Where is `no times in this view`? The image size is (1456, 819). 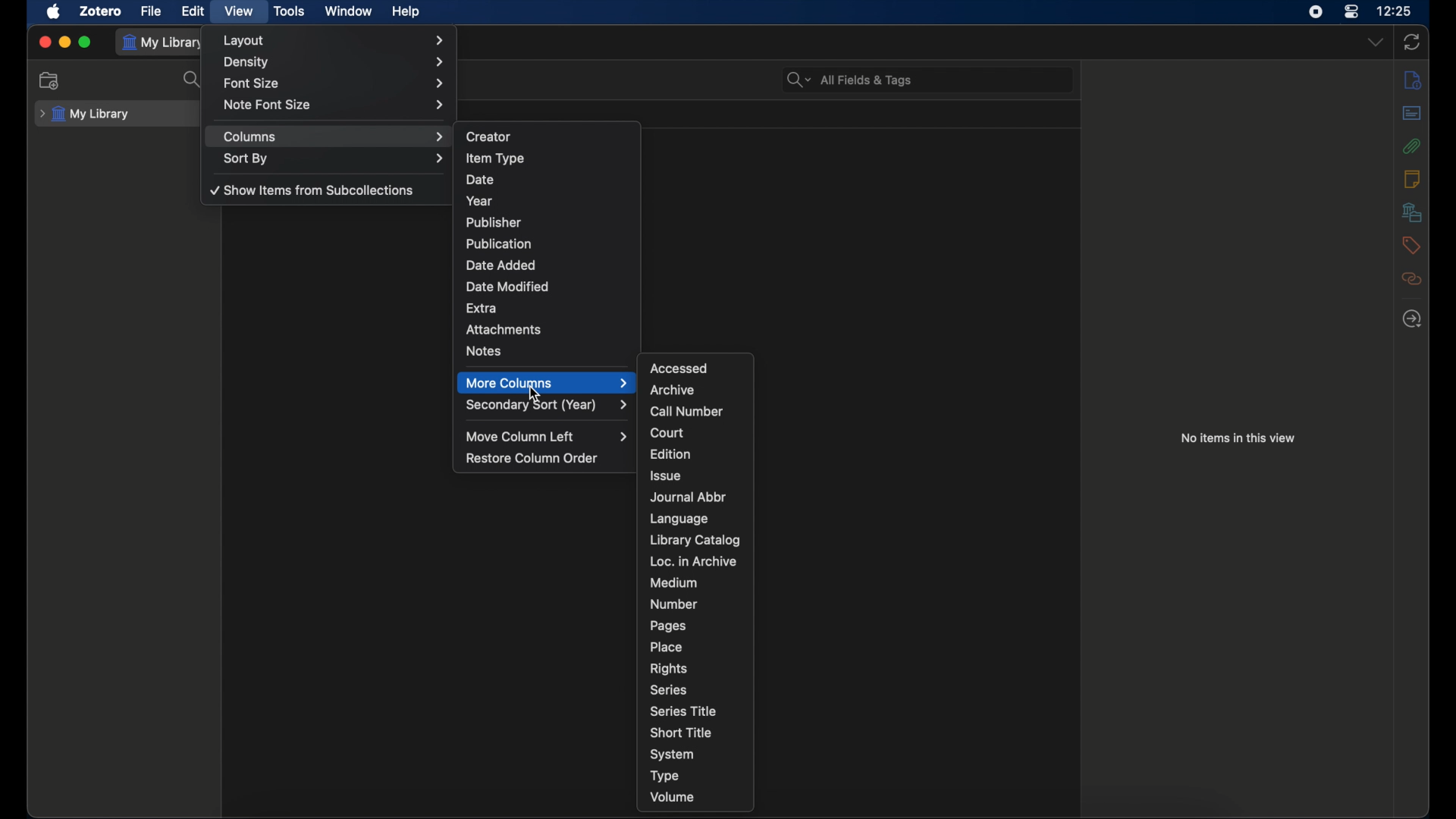
no times in this view is located at coordinates (1238, 438).